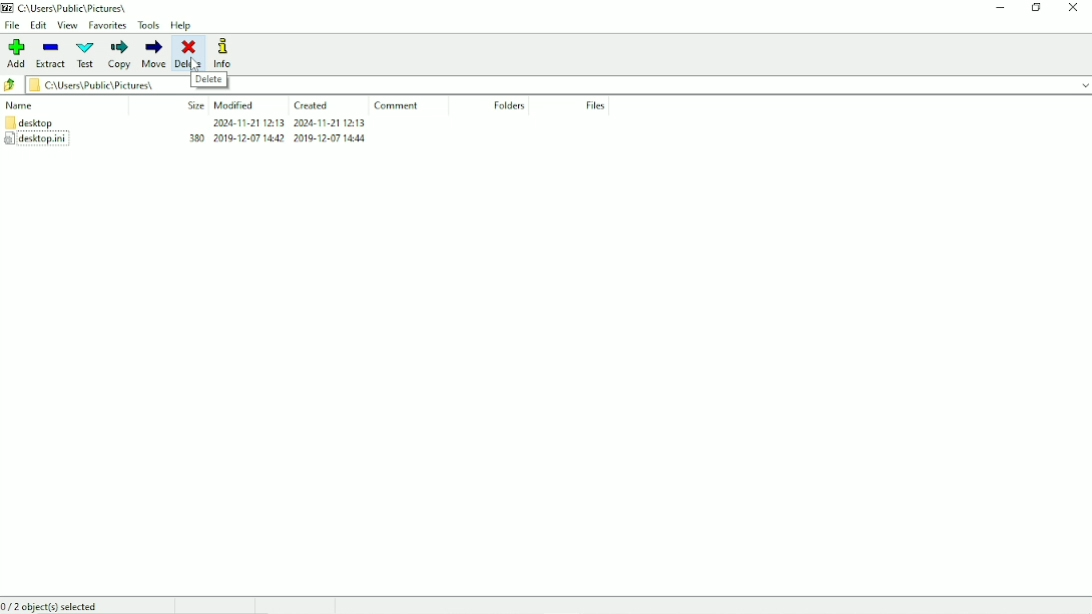  Describe the element at coordinates (17, 53) in the screenshot. I see `Add` at that location.